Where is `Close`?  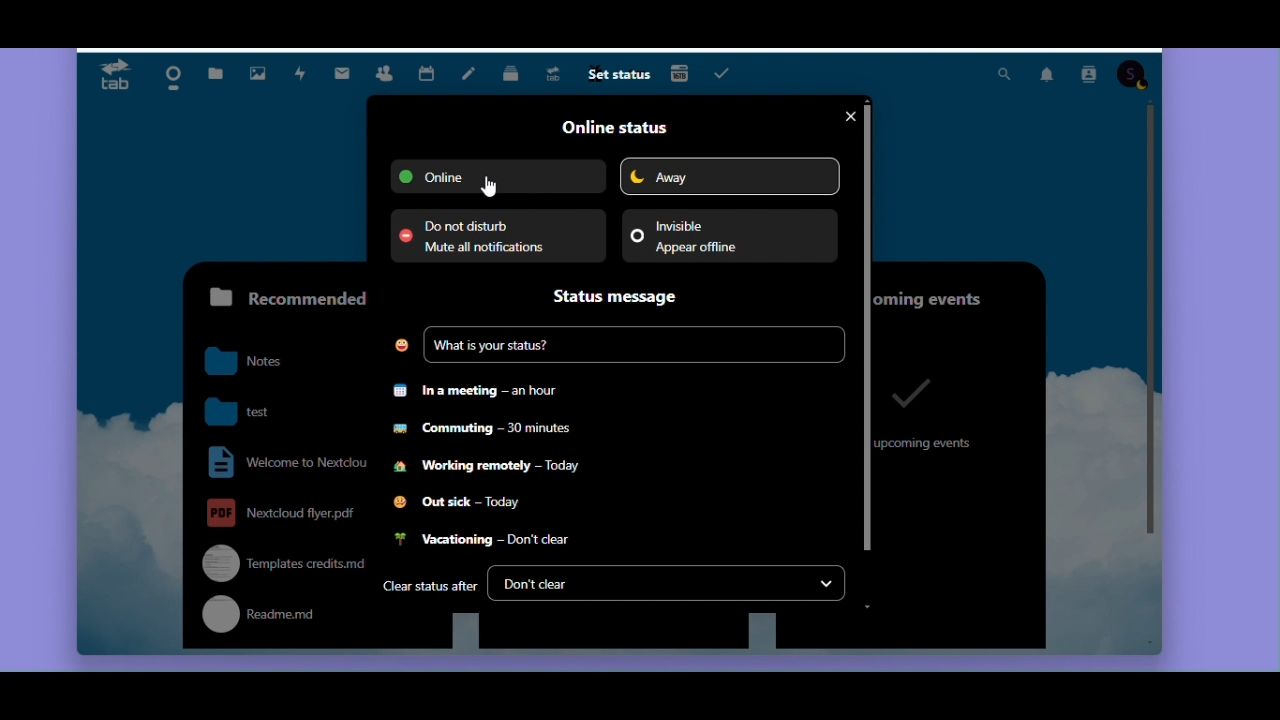 Close is located at coordinates (847, 117).